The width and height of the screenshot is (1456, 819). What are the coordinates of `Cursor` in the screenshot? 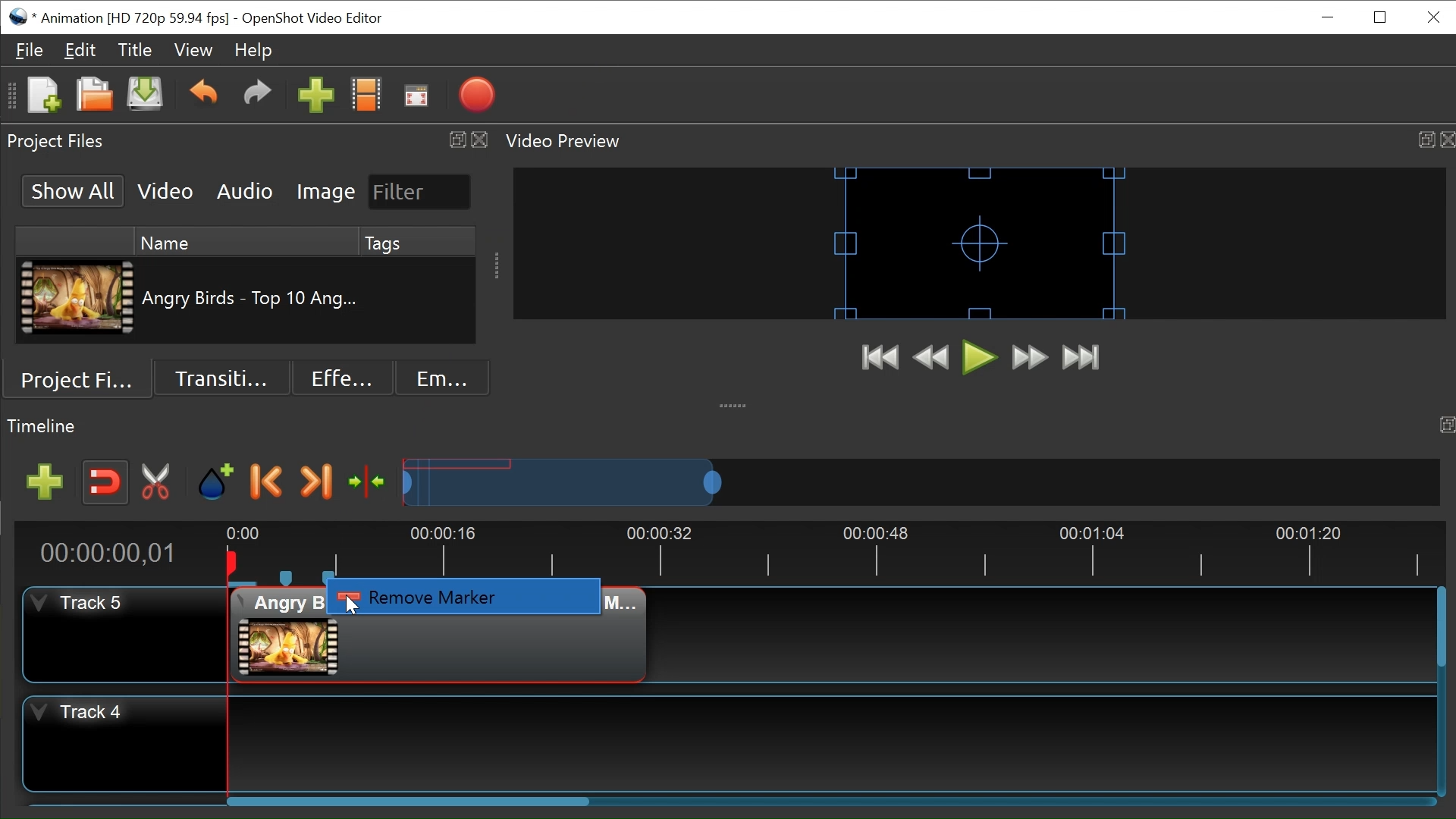 It's located at (354, 606).